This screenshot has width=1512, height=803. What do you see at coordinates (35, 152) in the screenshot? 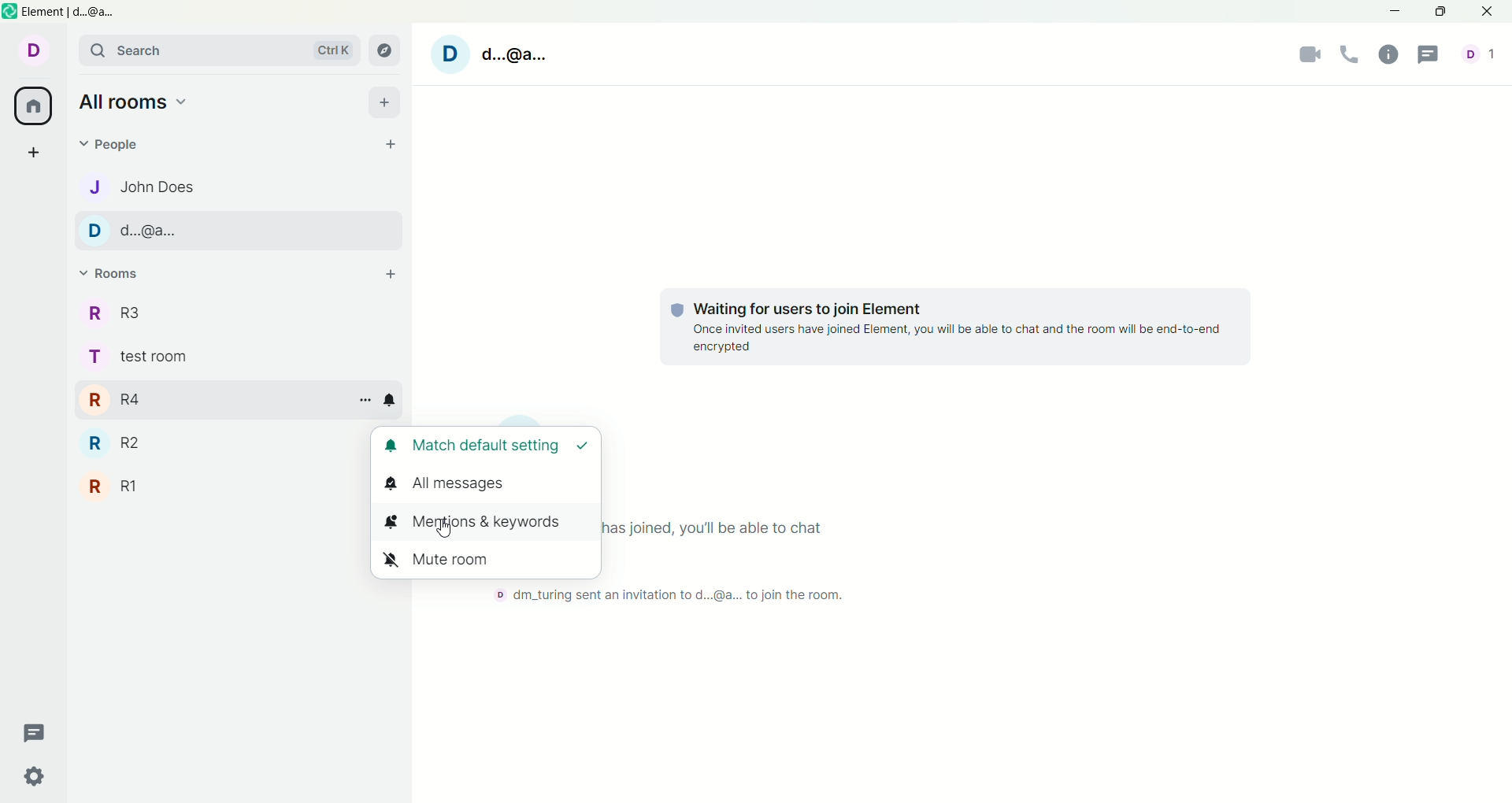
I see `create a space` at bounding box center [35, 152].